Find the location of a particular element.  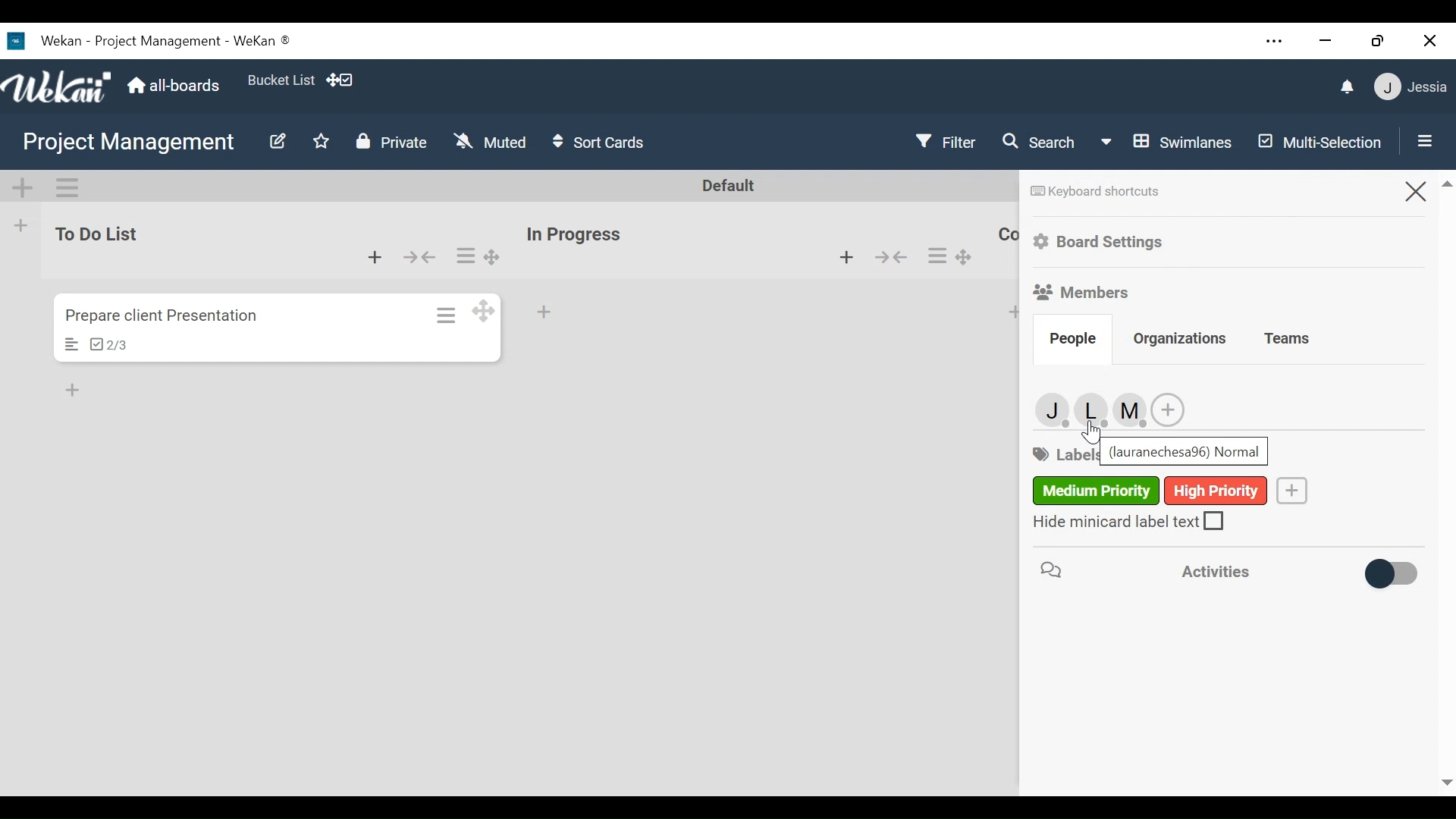

Members is located at coordinates (1082, 291).